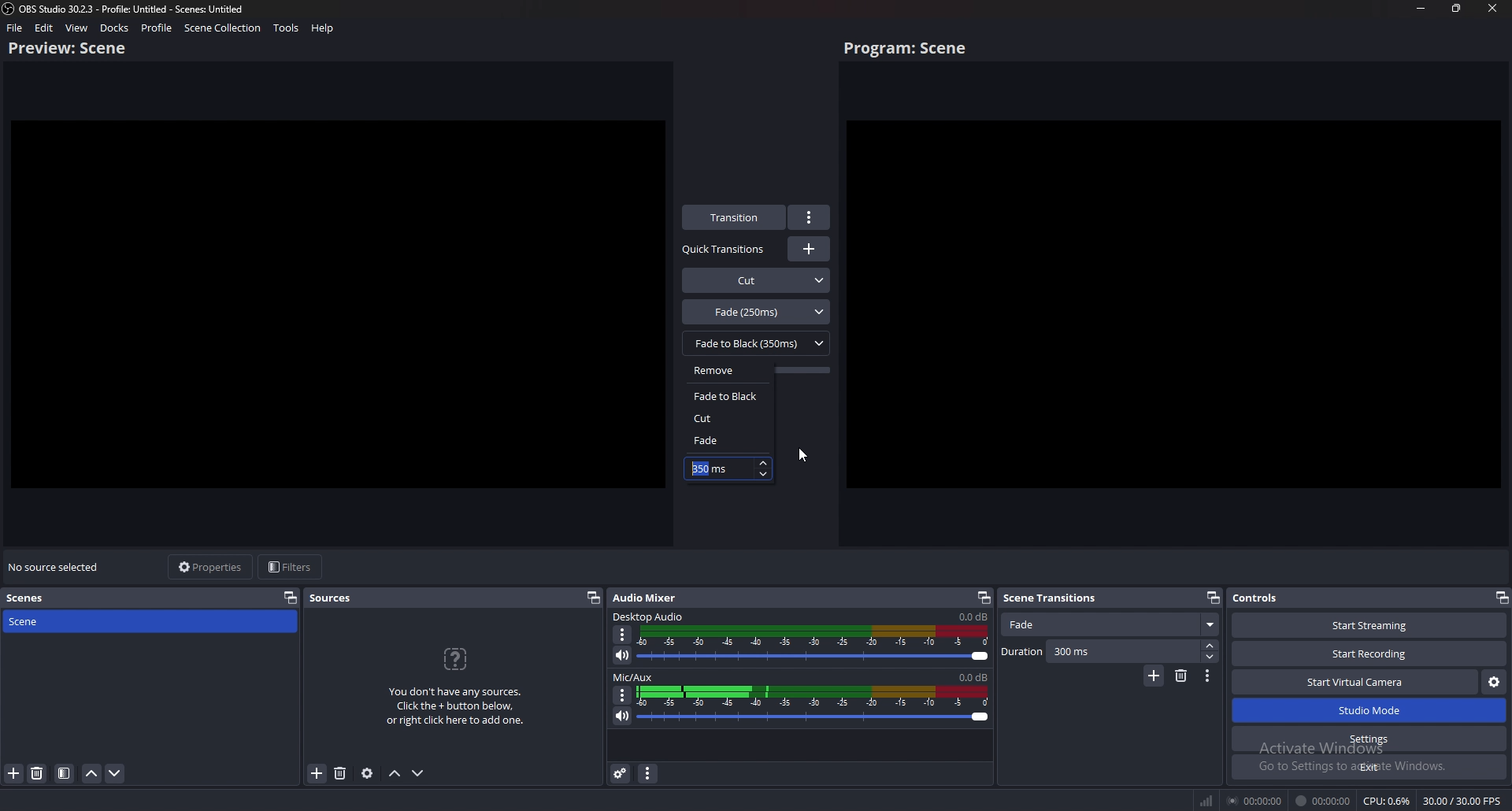 This screenshot has height=811, width=1512. I want to click on  00:00:00, so click(1324, 801).